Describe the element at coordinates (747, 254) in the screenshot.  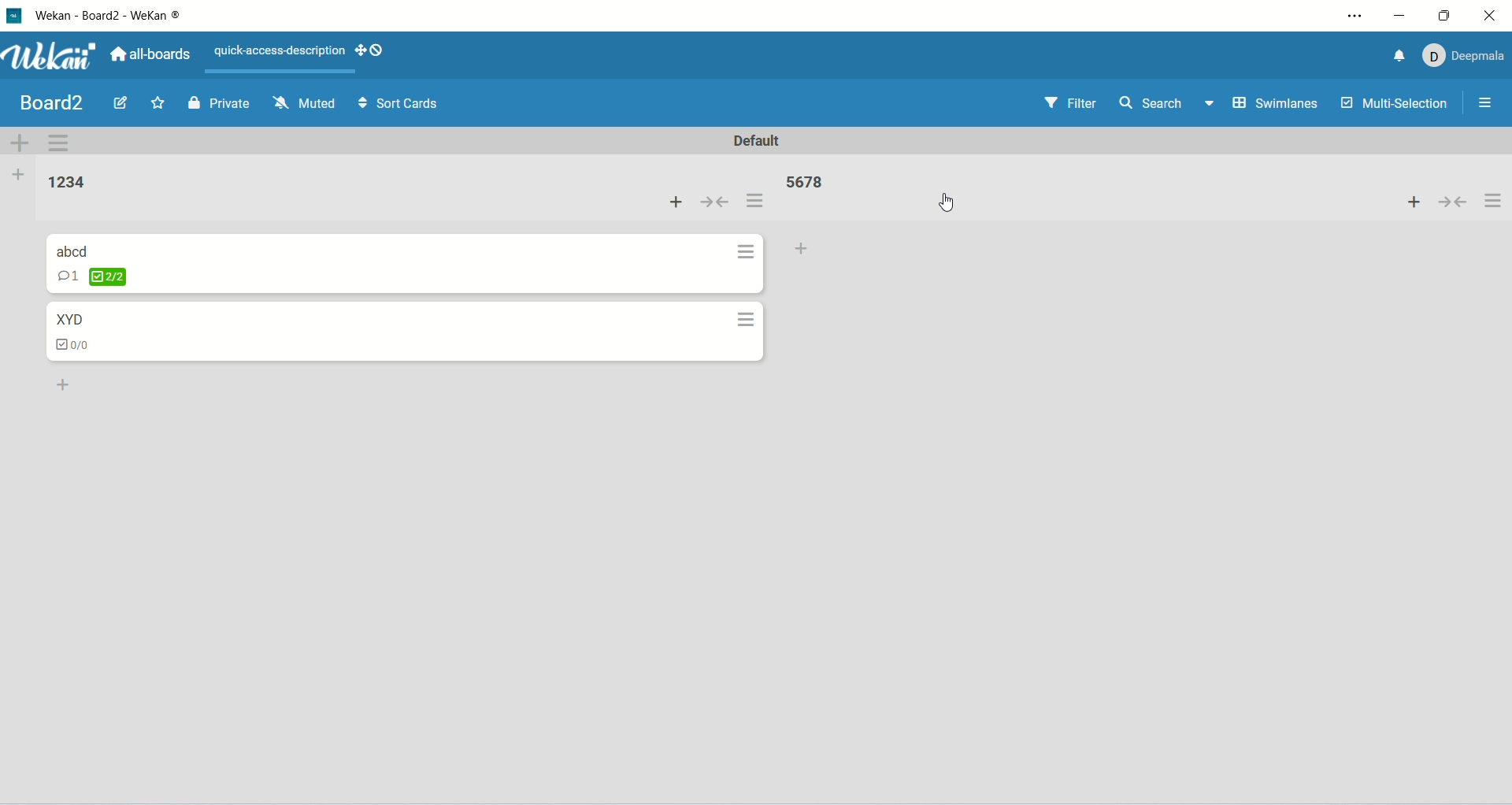
I see `options` at that location.